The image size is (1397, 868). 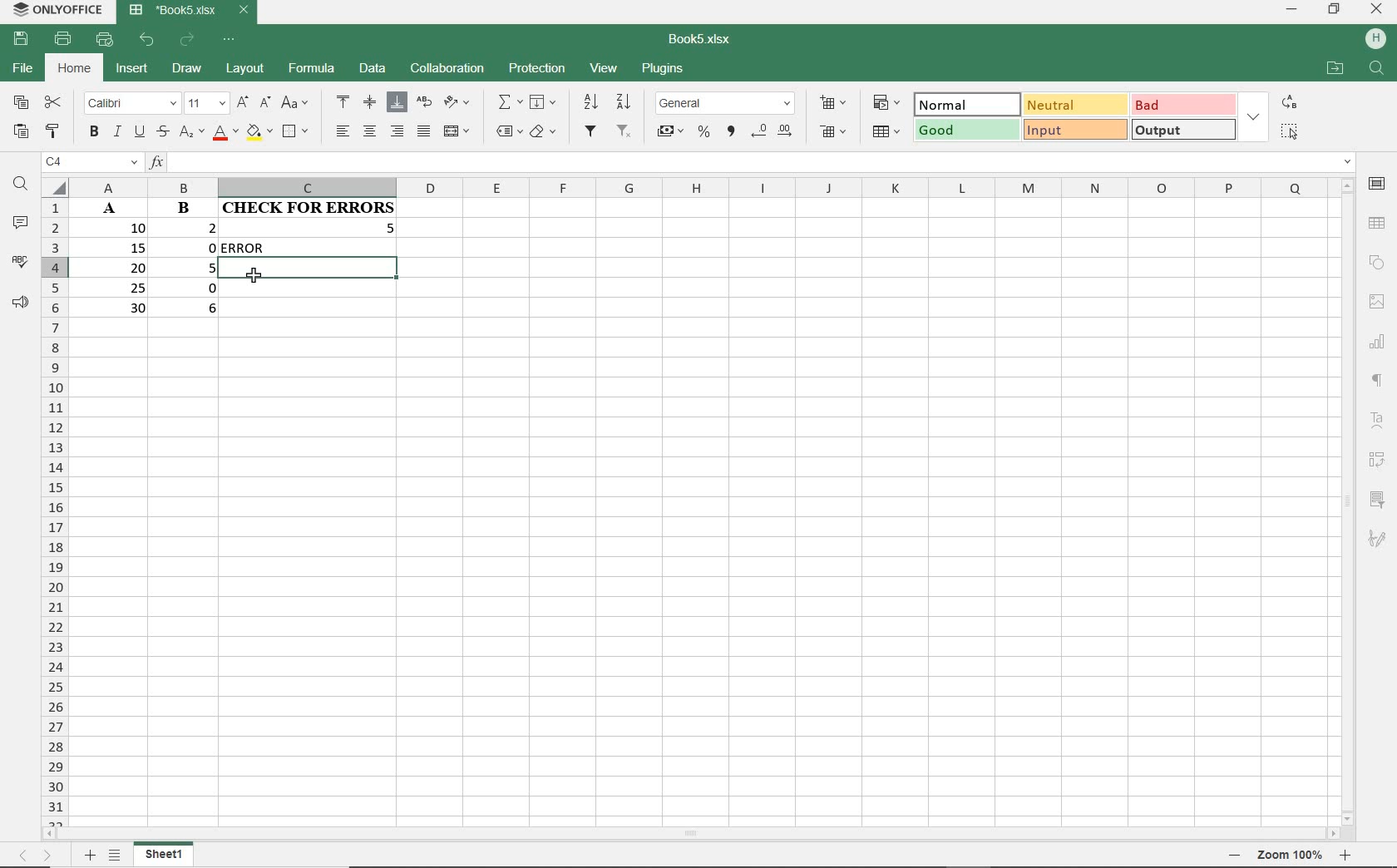 I want to click on SCROLLBAR, so click(x=689, y=836).